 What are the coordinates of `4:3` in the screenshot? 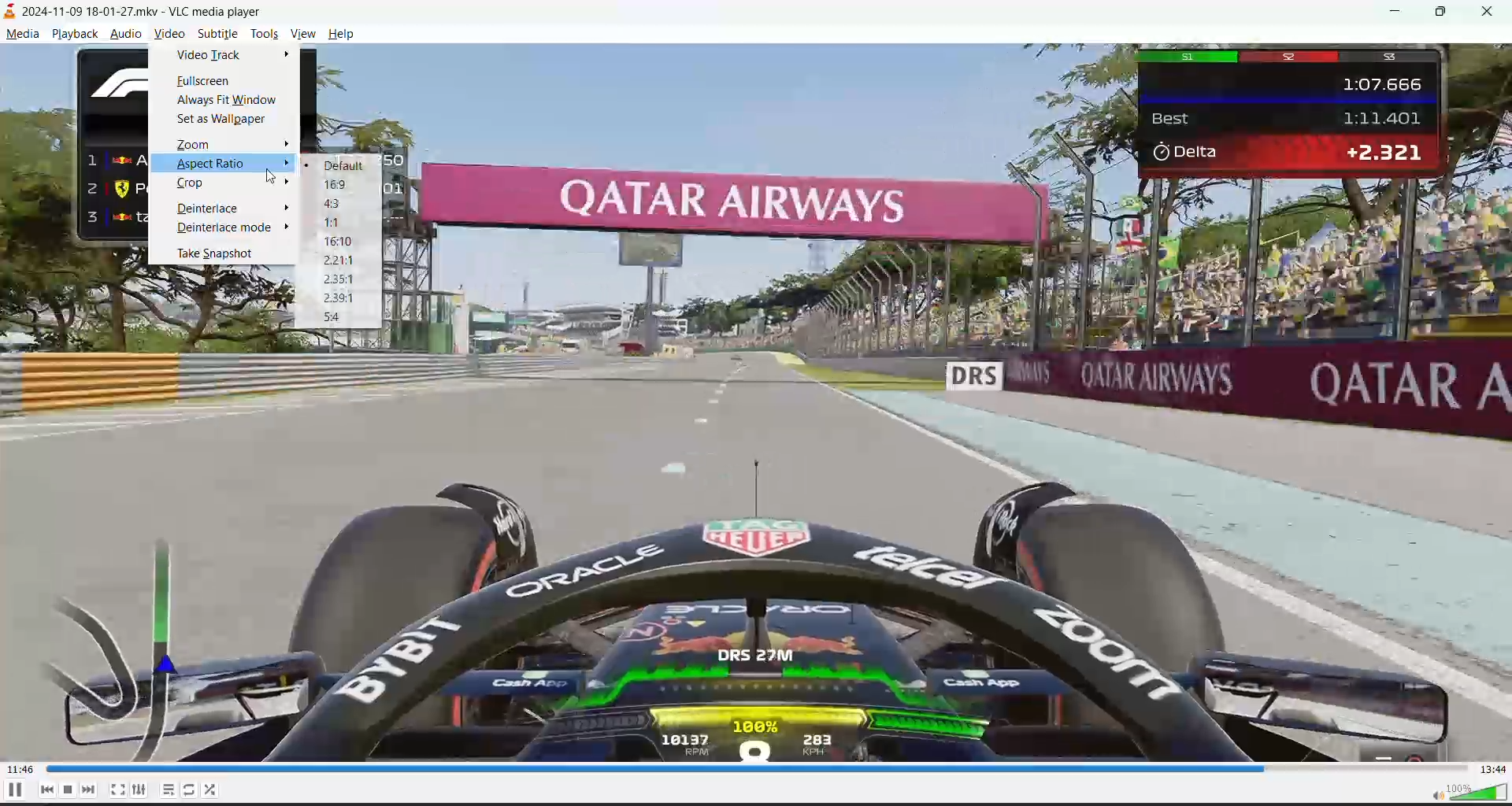 It's located at (335, 204).